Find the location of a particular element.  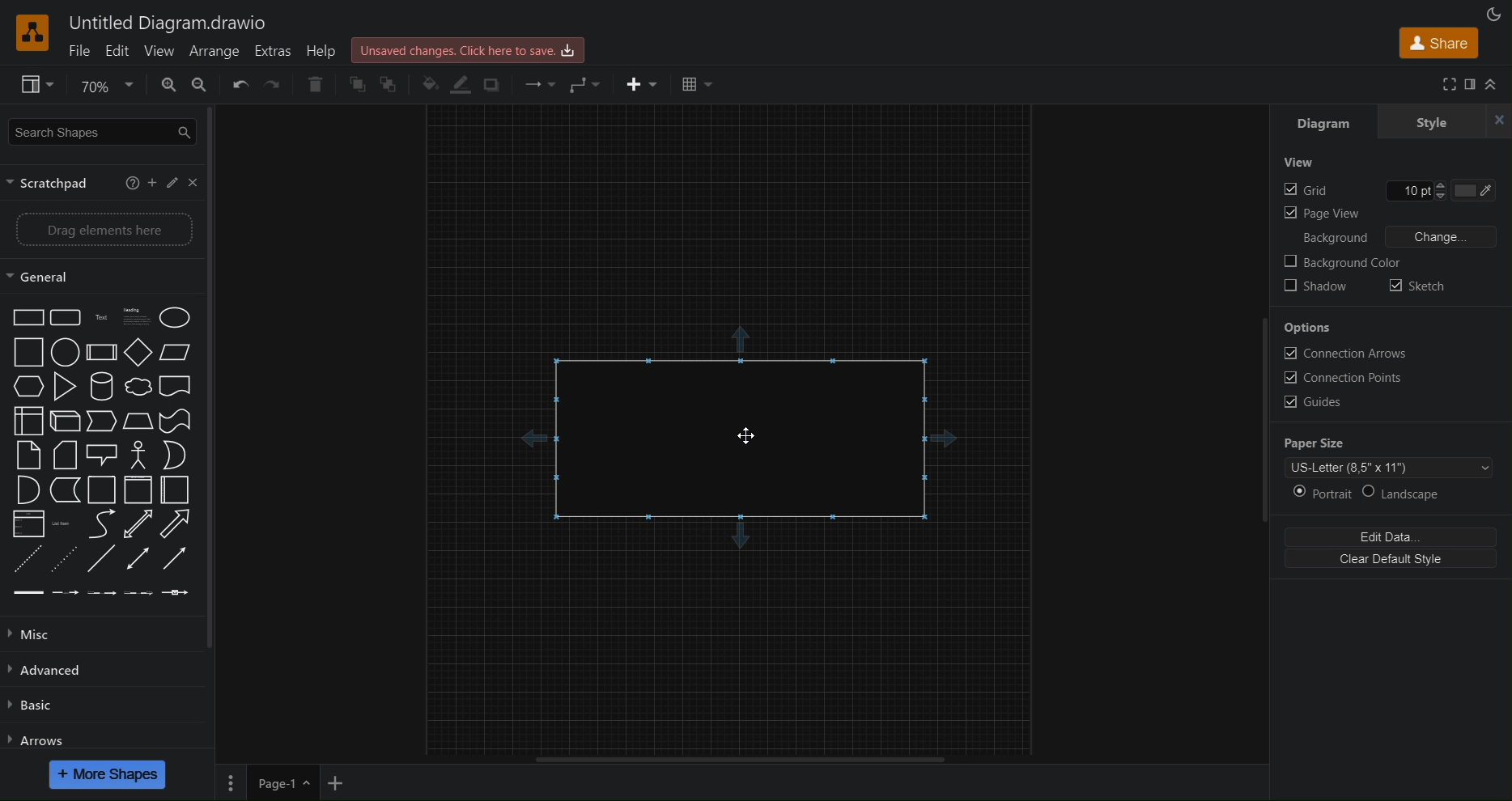

View is located at coordinates (29, 86).